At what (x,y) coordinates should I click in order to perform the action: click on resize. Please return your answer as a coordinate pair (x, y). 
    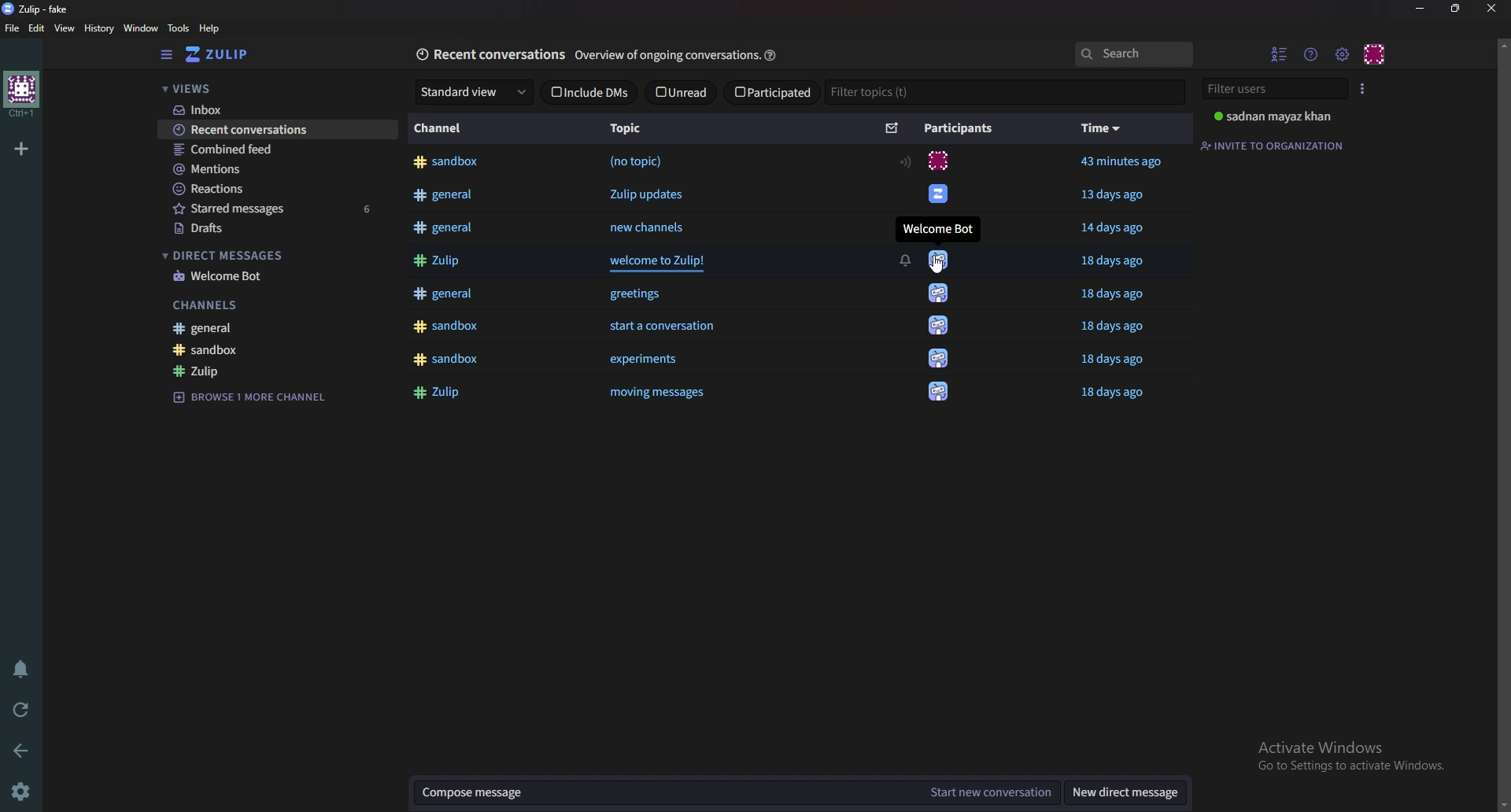
    Looking at the image, I should click on (1455, 8).